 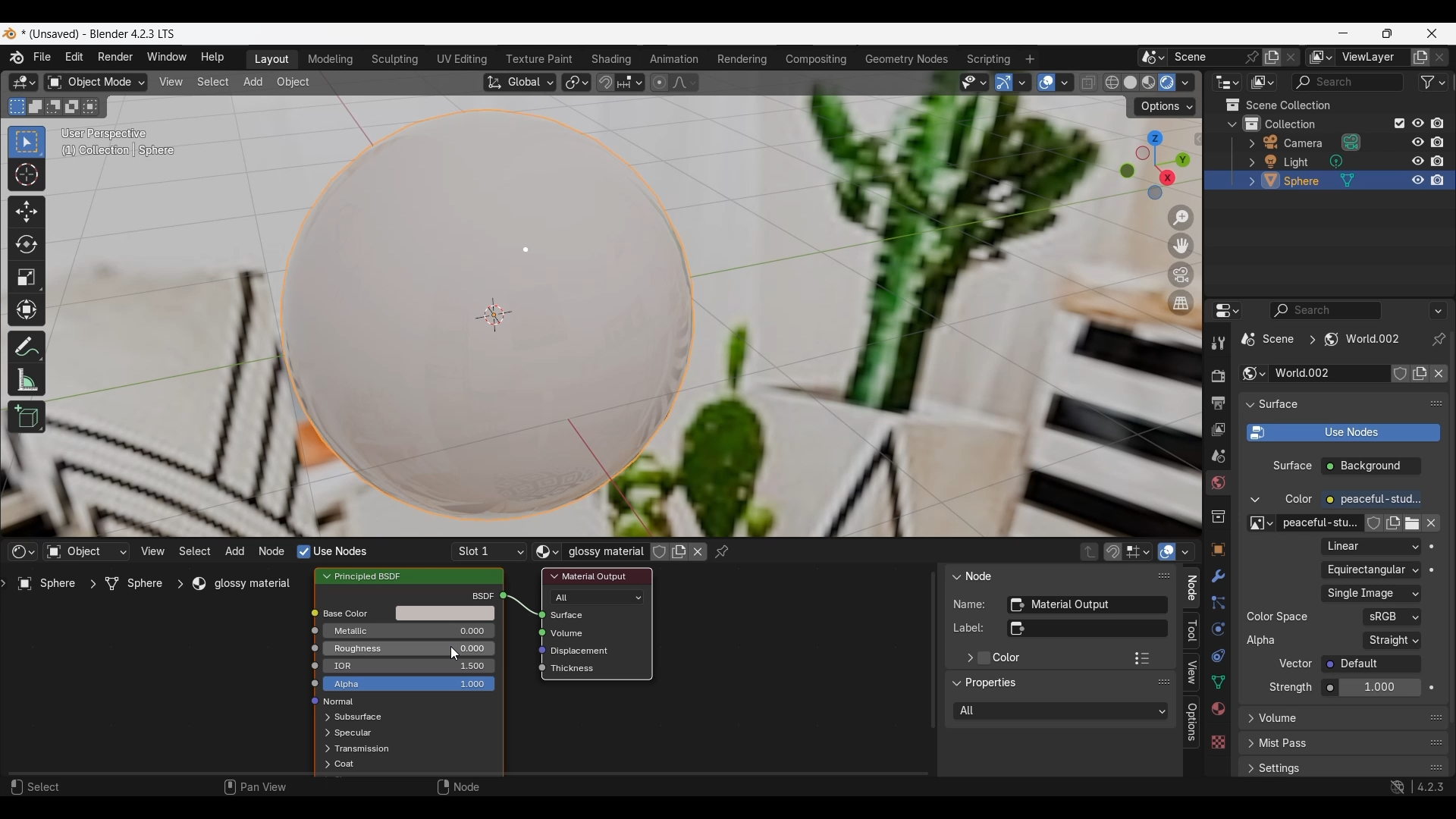 What do you see at coordinates (1031, 58) in the screenshot?
I see `Add workspace` at bounding box center [1031, 58].